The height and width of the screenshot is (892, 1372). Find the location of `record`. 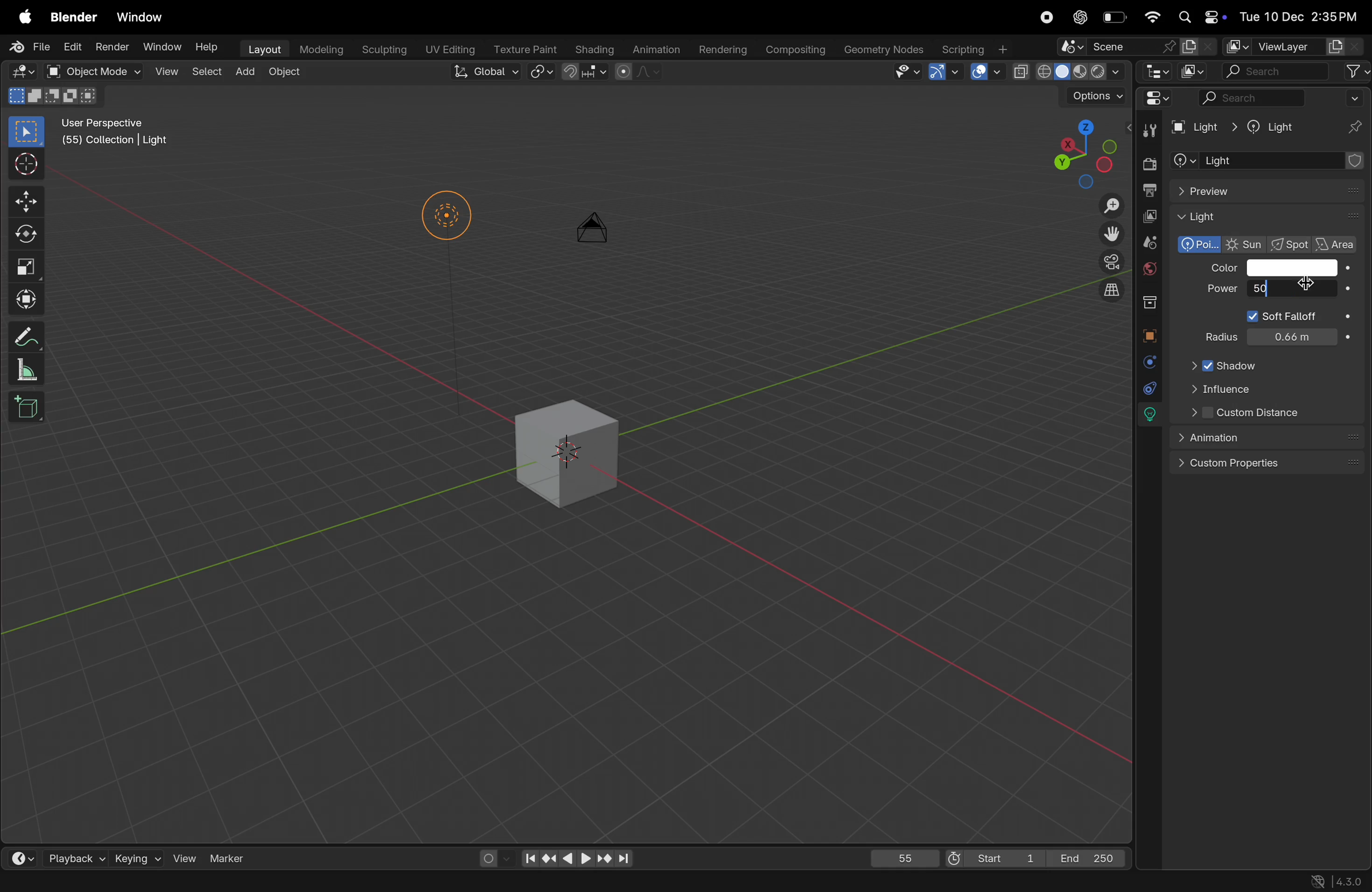

record is located at coordinates (1046, 17).